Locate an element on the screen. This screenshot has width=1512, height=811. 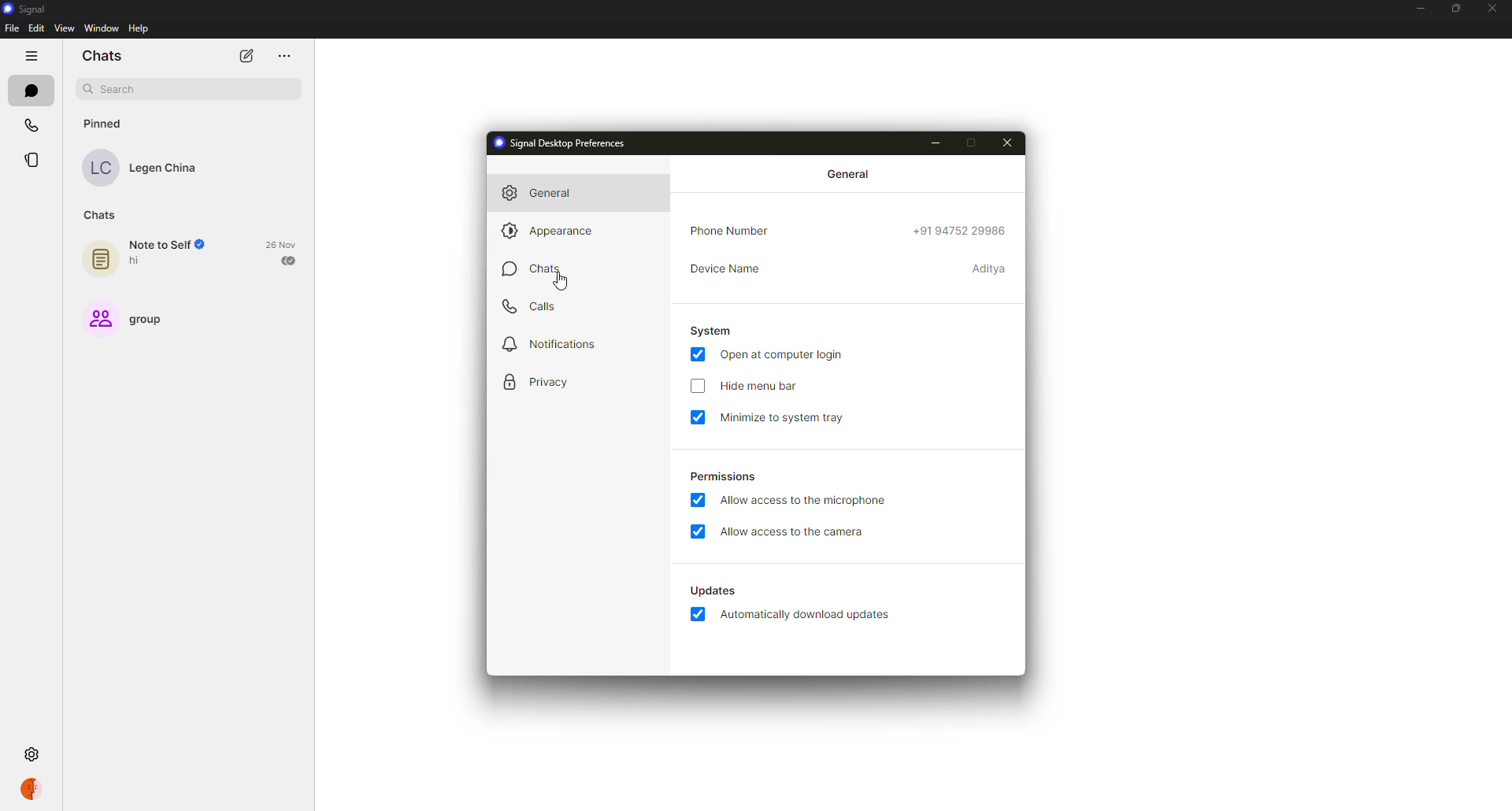
pinned is located at coordinates (102, 124).